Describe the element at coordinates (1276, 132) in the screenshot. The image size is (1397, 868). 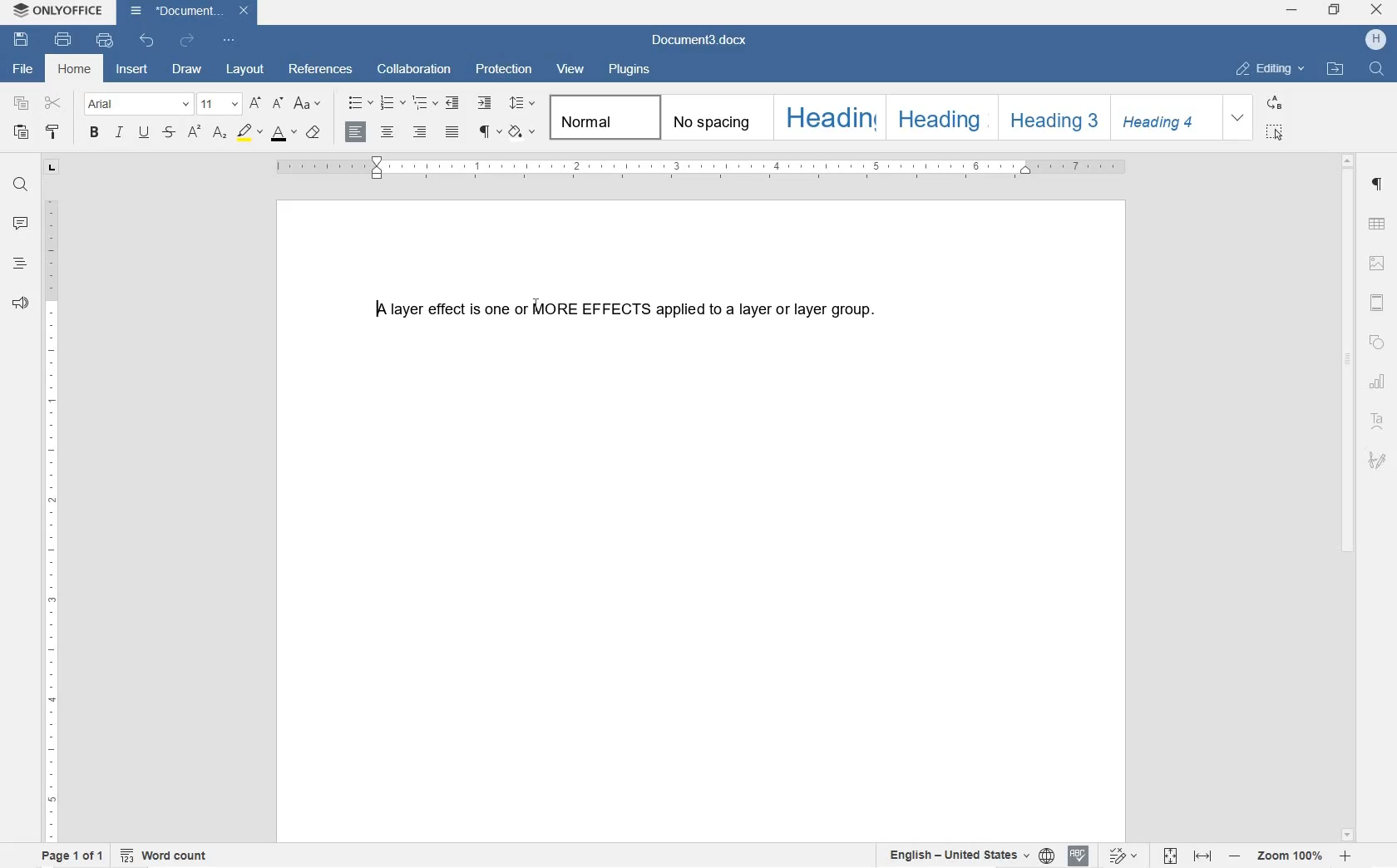
I see `SELECT ALL` at that location.